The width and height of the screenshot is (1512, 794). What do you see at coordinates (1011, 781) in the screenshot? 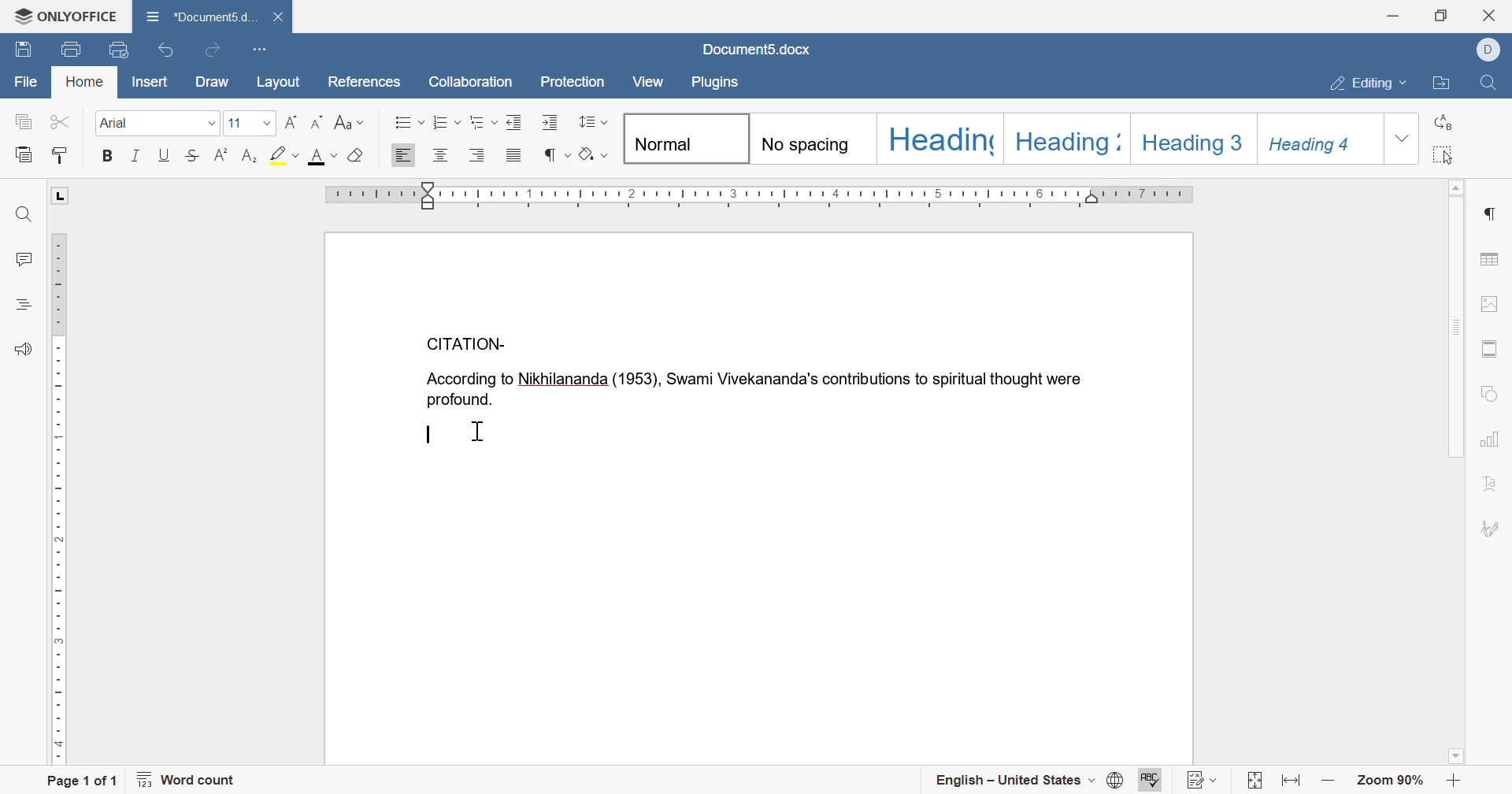
I see `english - united states` at bounding box center [1011, 781].